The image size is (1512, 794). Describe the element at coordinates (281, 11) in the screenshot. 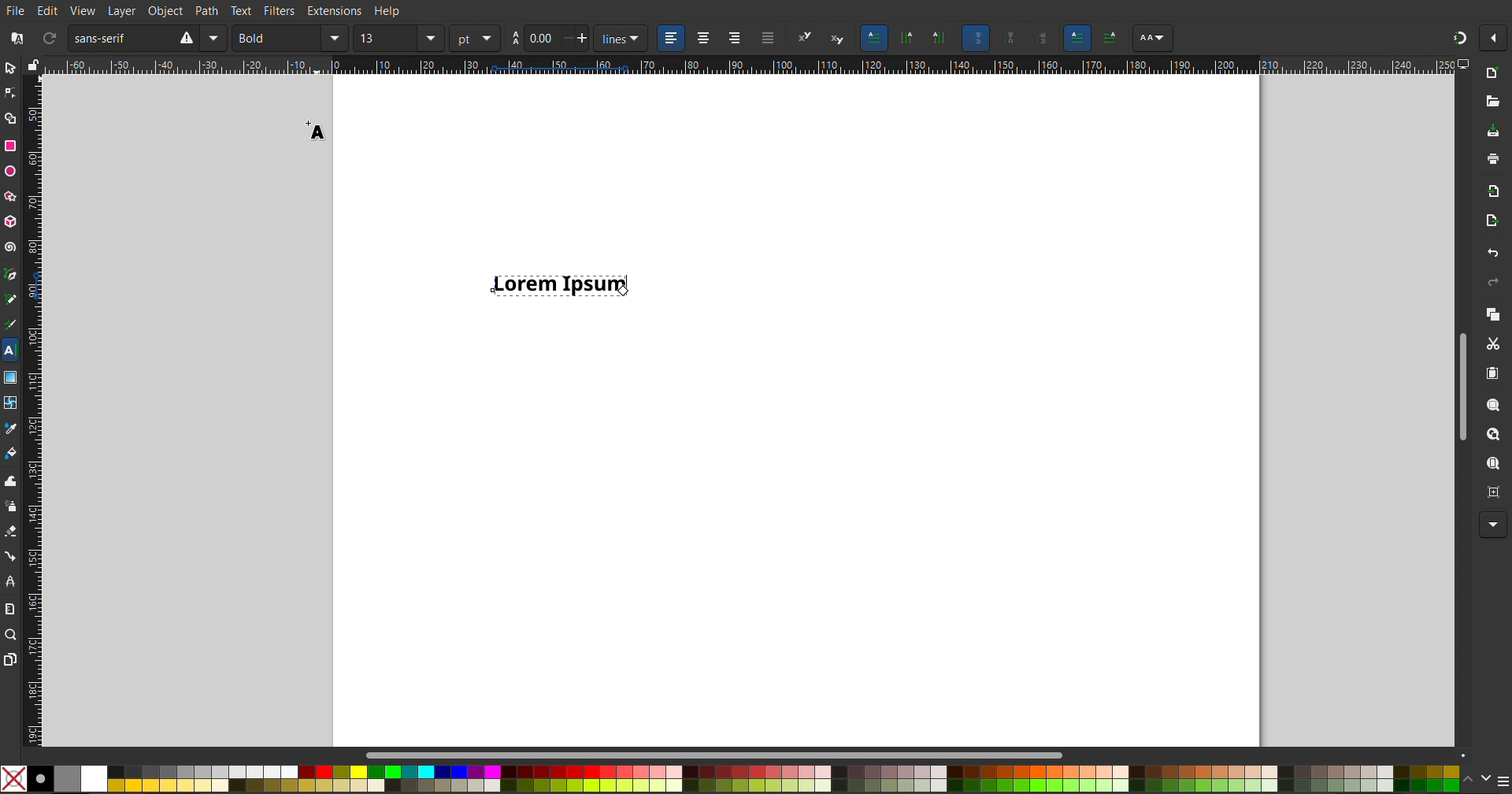

I see `Filters` at that location.